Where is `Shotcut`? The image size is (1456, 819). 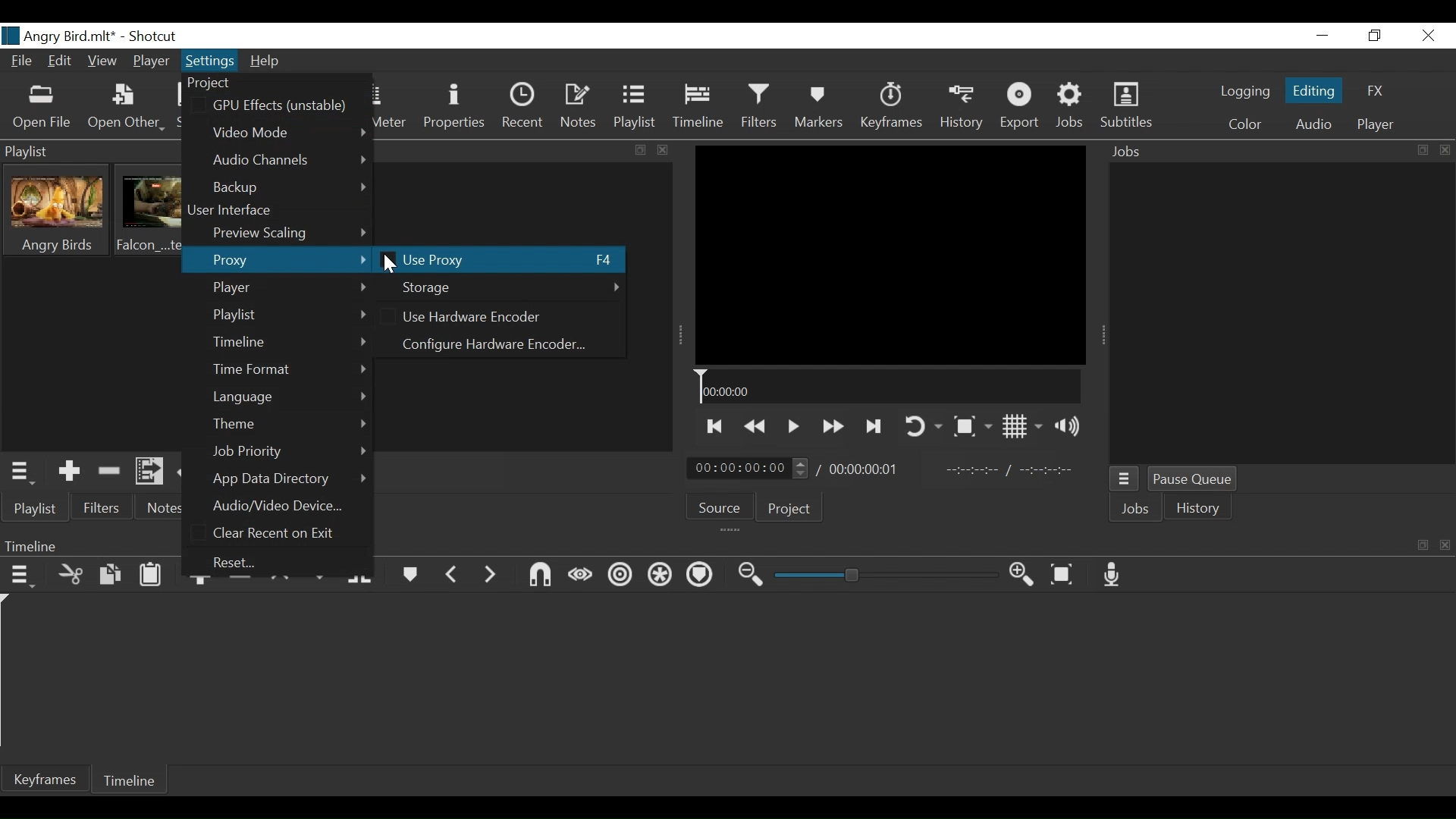
Shotcut is located at coordinates (156, 38).